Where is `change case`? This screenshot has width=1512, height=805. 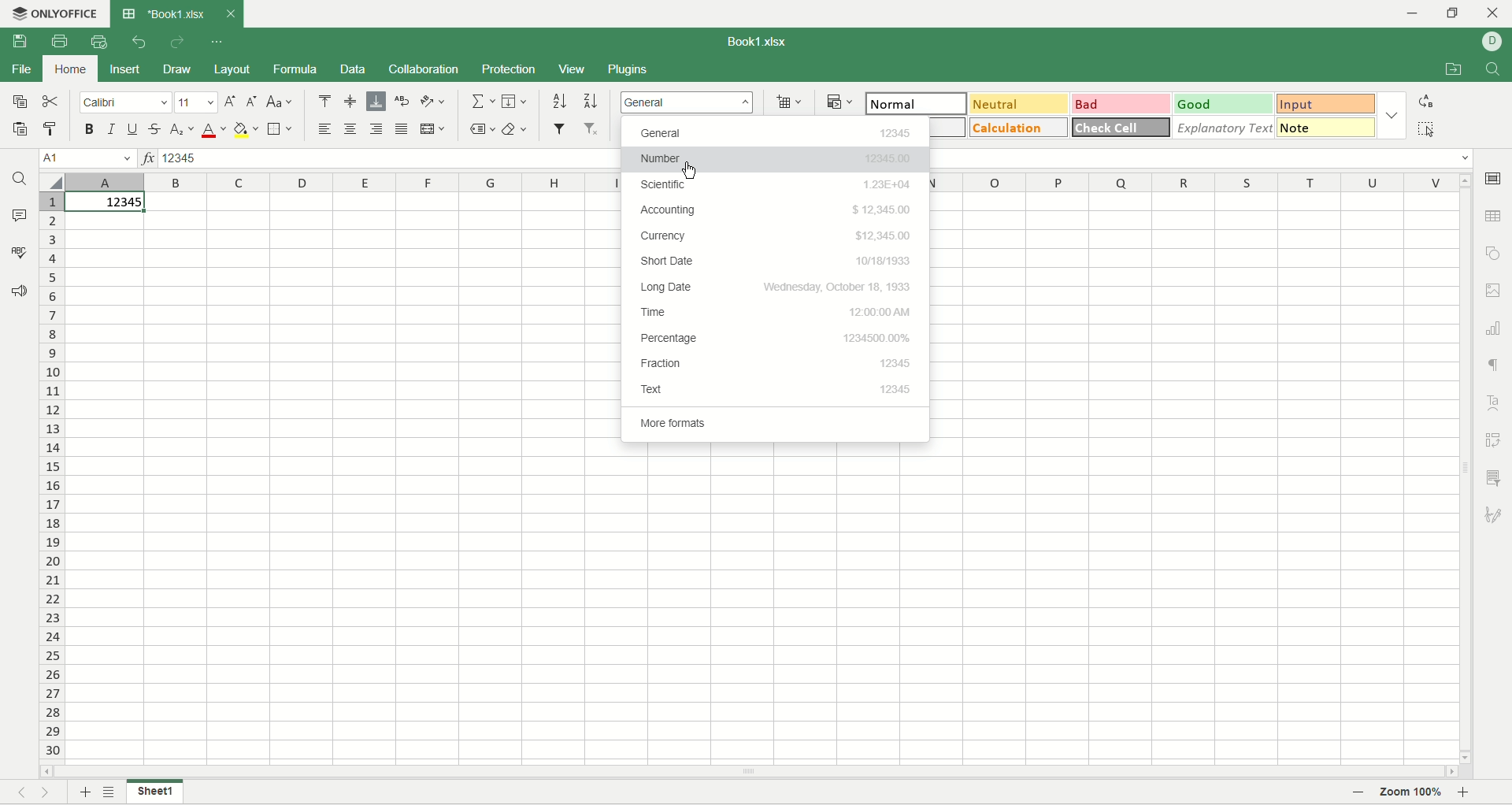
change case is located at coordinates (281, 102).